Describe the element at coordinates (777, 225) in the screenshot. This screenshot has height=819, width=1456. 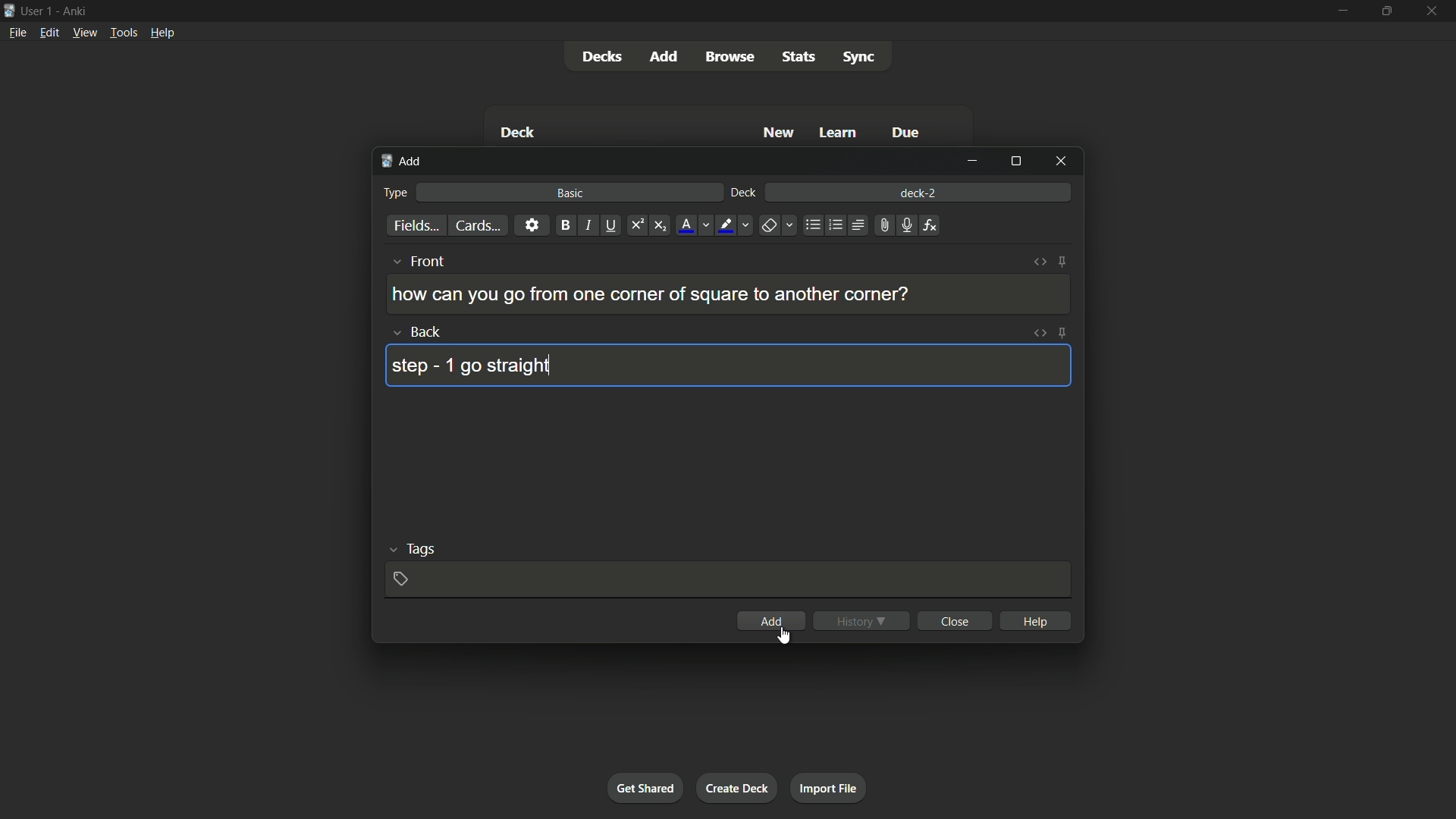
I see `remove formatting` at that location.